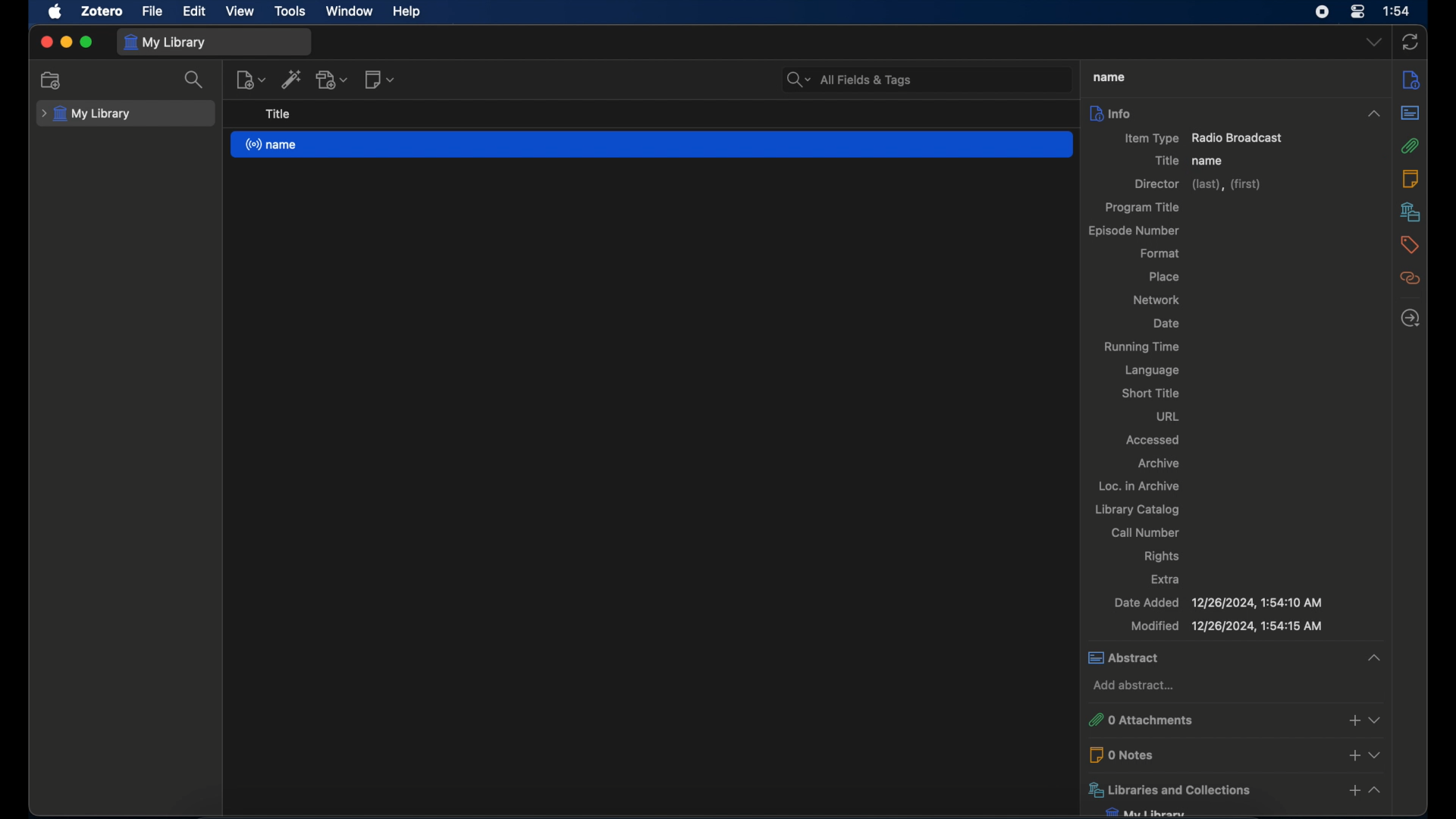  I want to click on 0 attachments, so click(1237, 720).